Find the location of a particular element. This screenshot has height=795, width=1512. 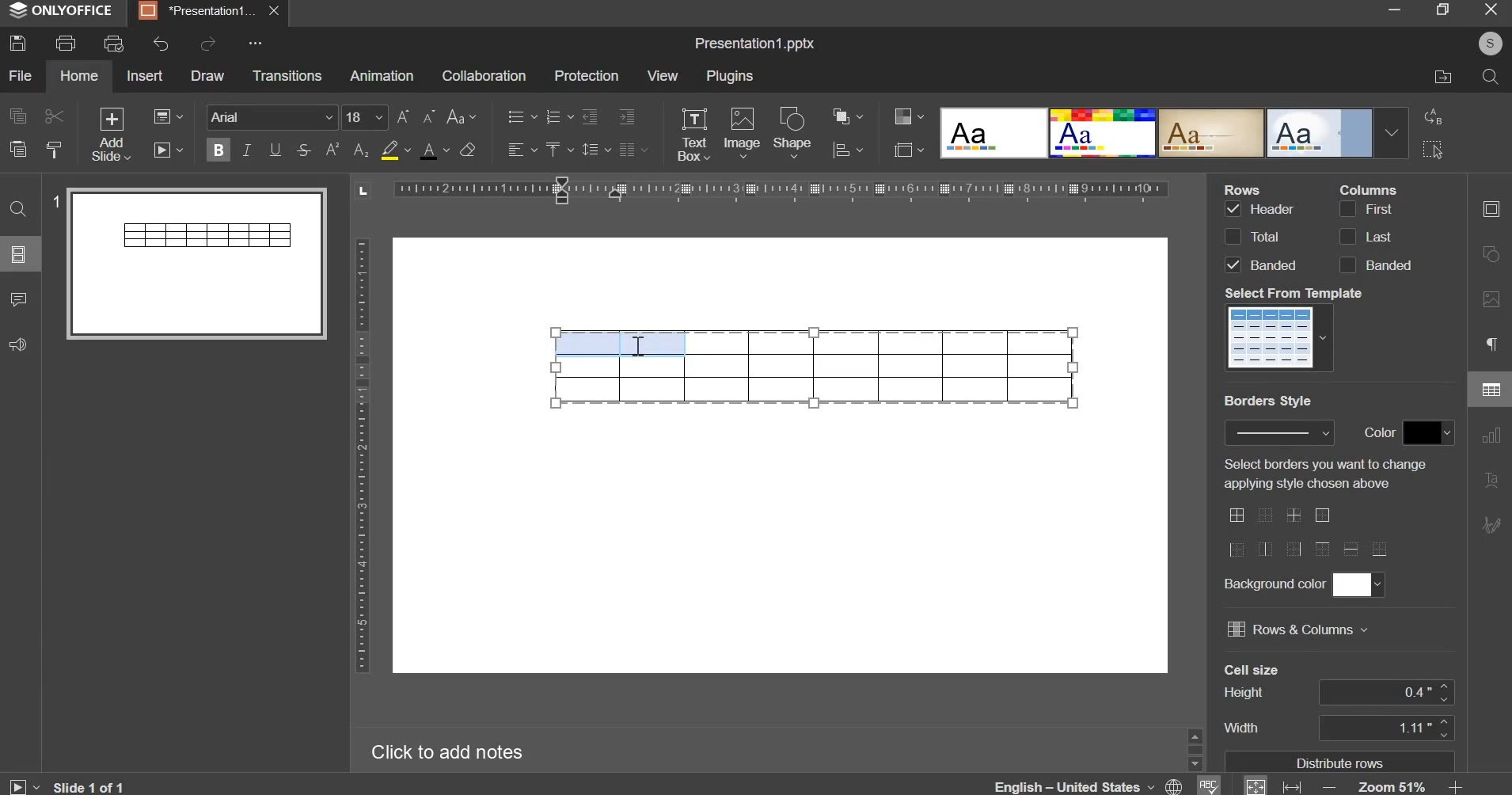

Click to add notes is located at coordinates (443, 749).